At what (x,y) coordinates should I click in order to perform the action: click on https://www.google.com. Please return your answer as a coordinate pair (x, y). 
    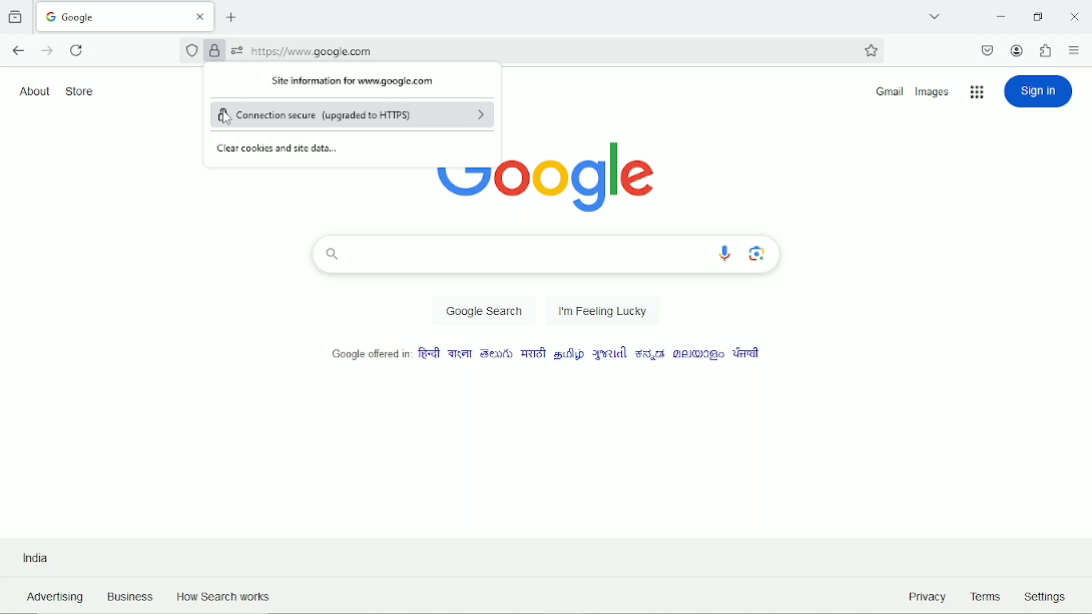
    Looking at the image, I should click on (548, 51).